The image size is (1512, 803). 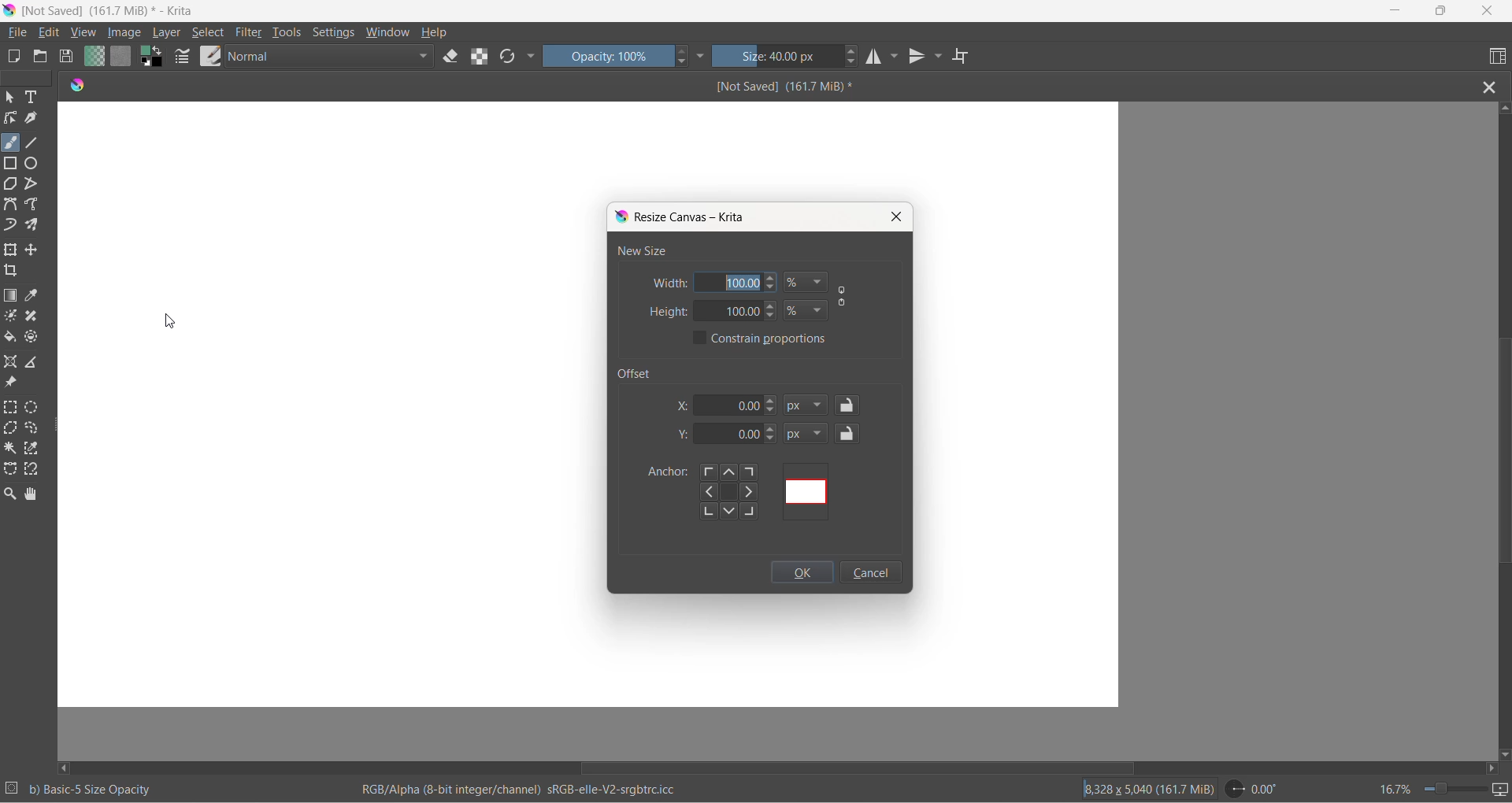 I want to click on constant proportion button, so click(x=843, y=298).